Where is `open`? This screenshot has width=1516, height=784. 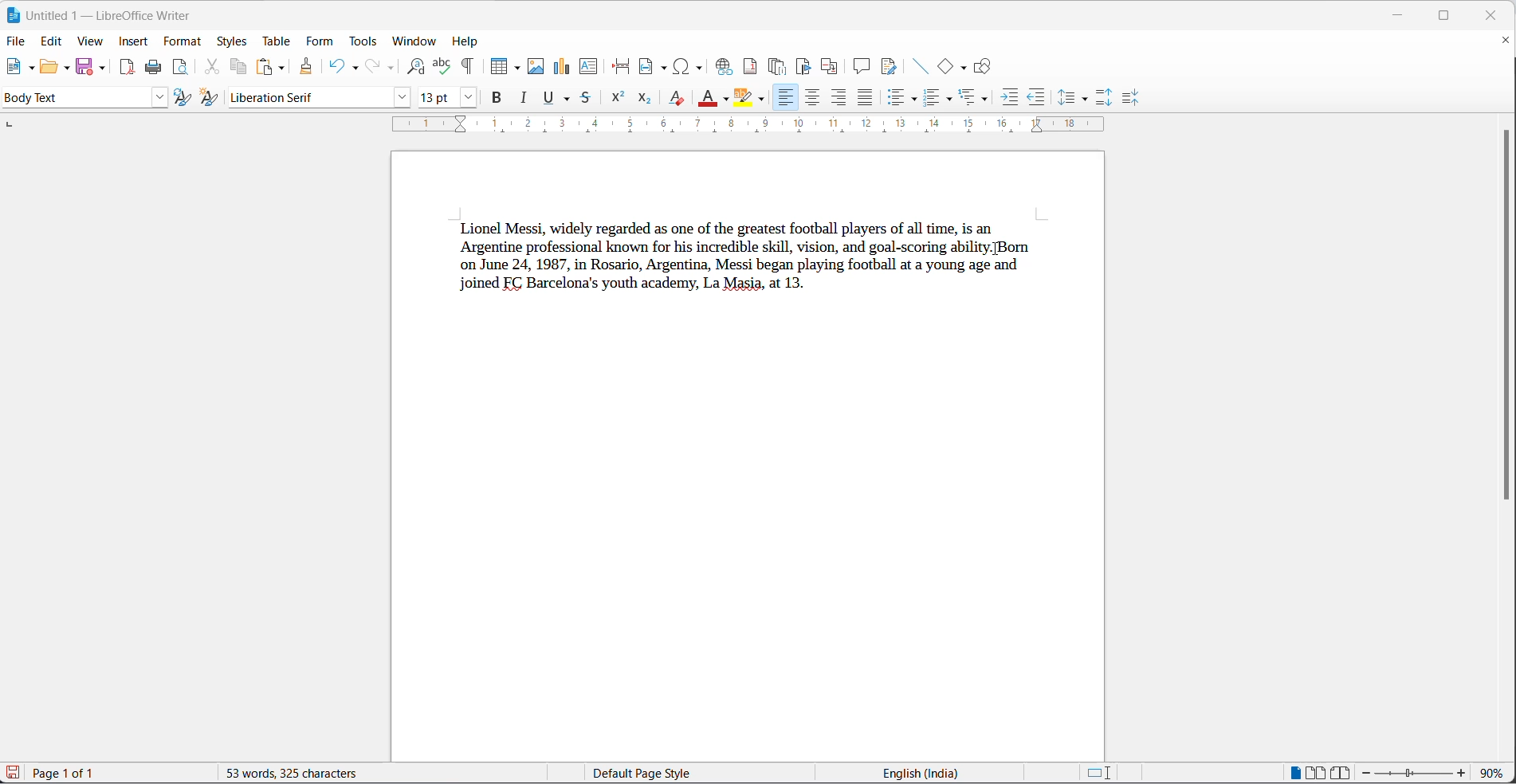 open is located at coordinates (46, 69).